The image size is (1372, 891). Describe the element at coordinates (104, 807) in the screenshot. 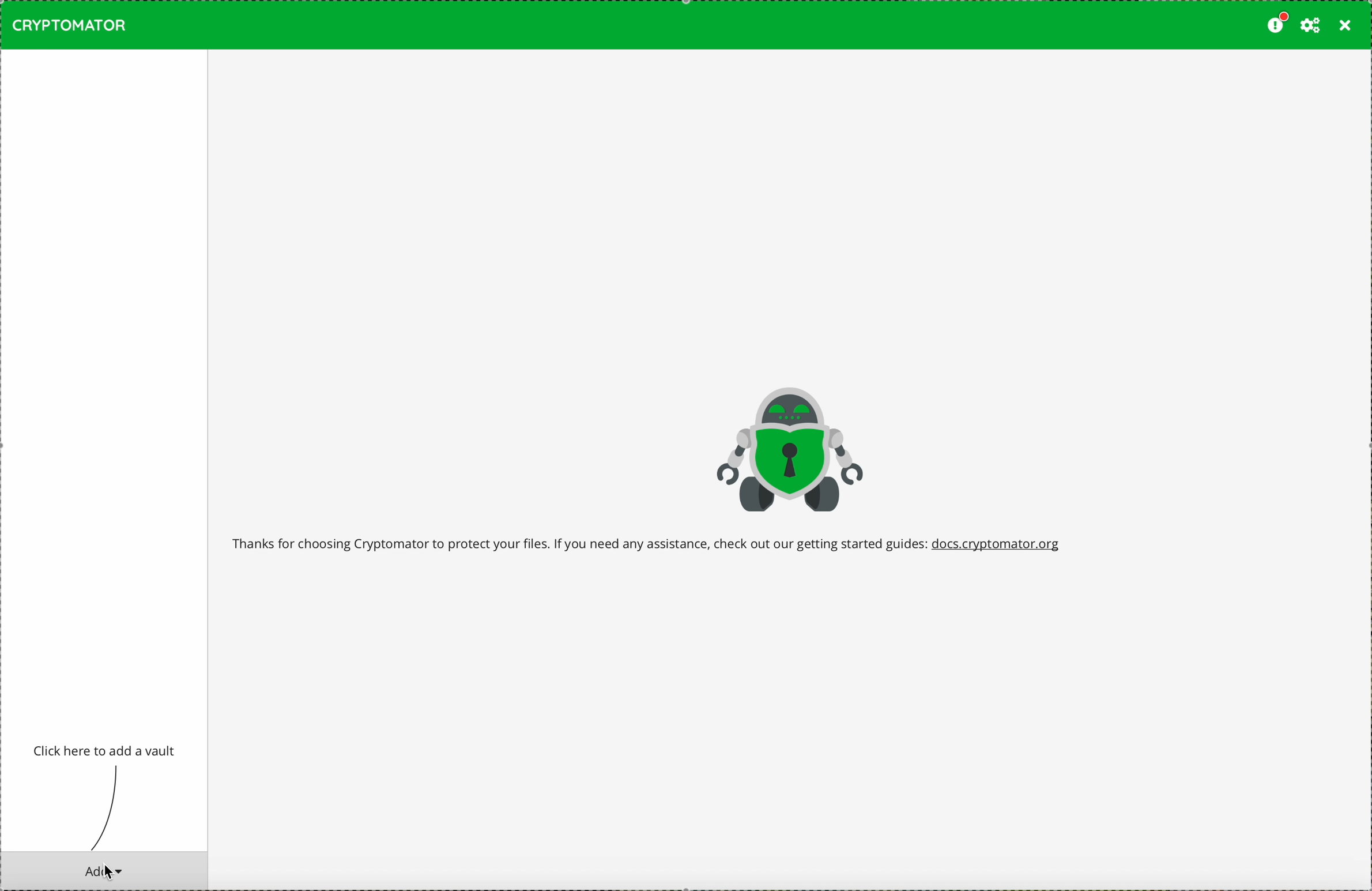

I see `line` at that location.